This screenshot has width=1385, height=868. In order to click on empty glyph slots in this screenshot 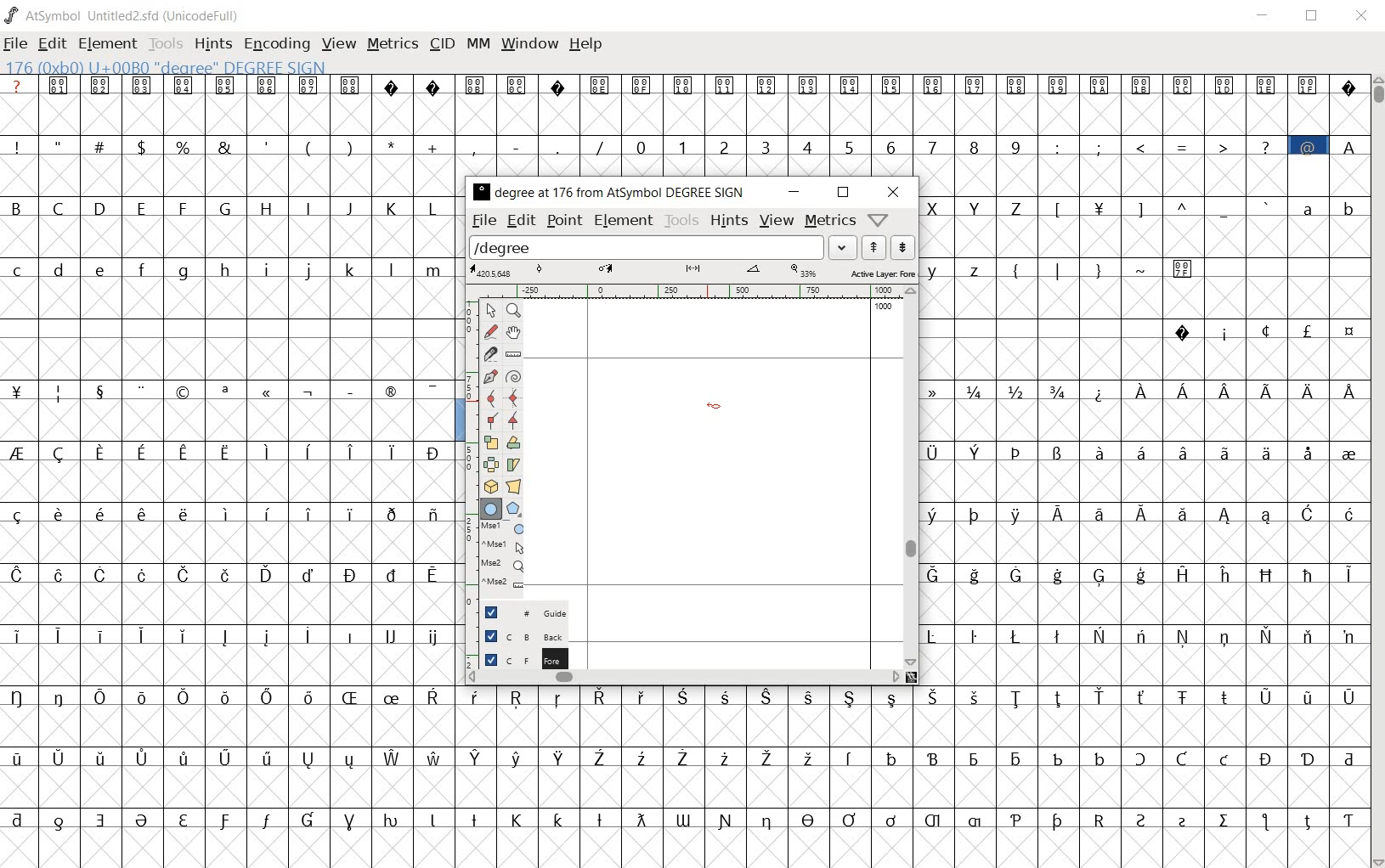, I will do `click(232, 664)`.